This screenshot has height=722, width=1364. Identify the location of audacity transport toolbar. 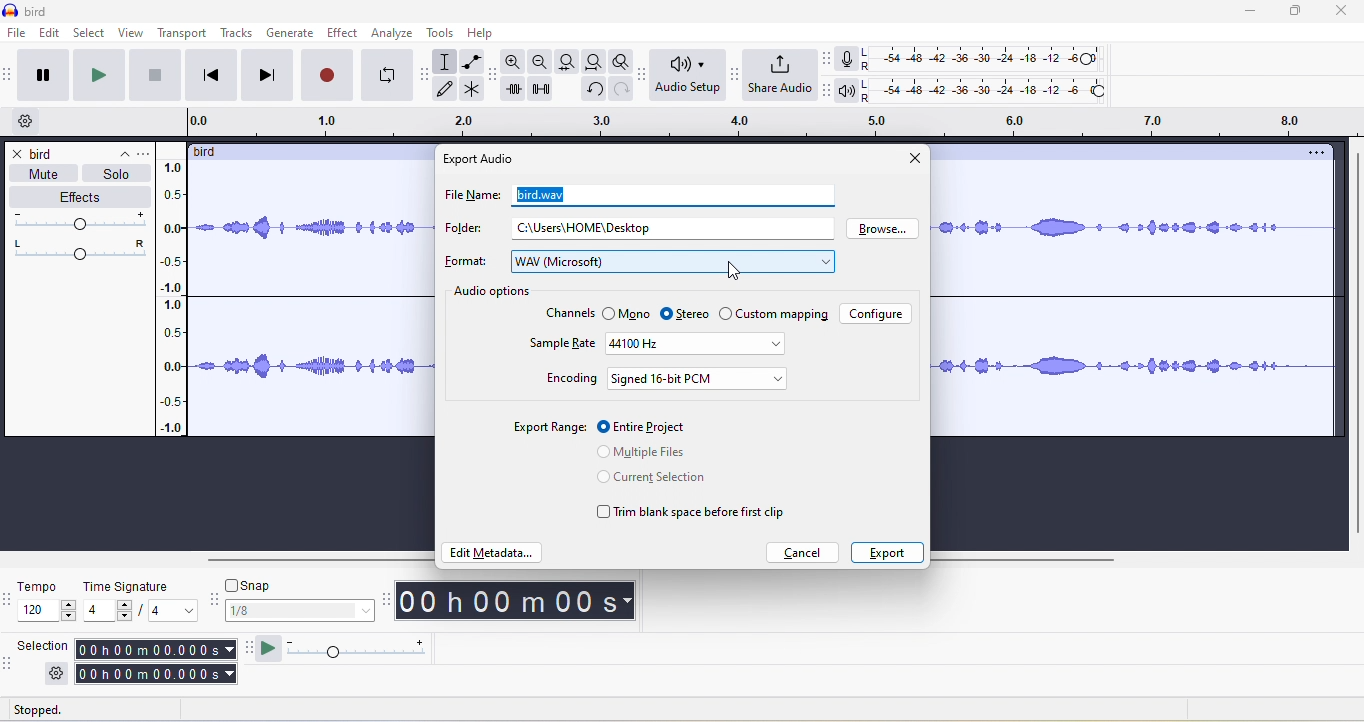
(9, 75).